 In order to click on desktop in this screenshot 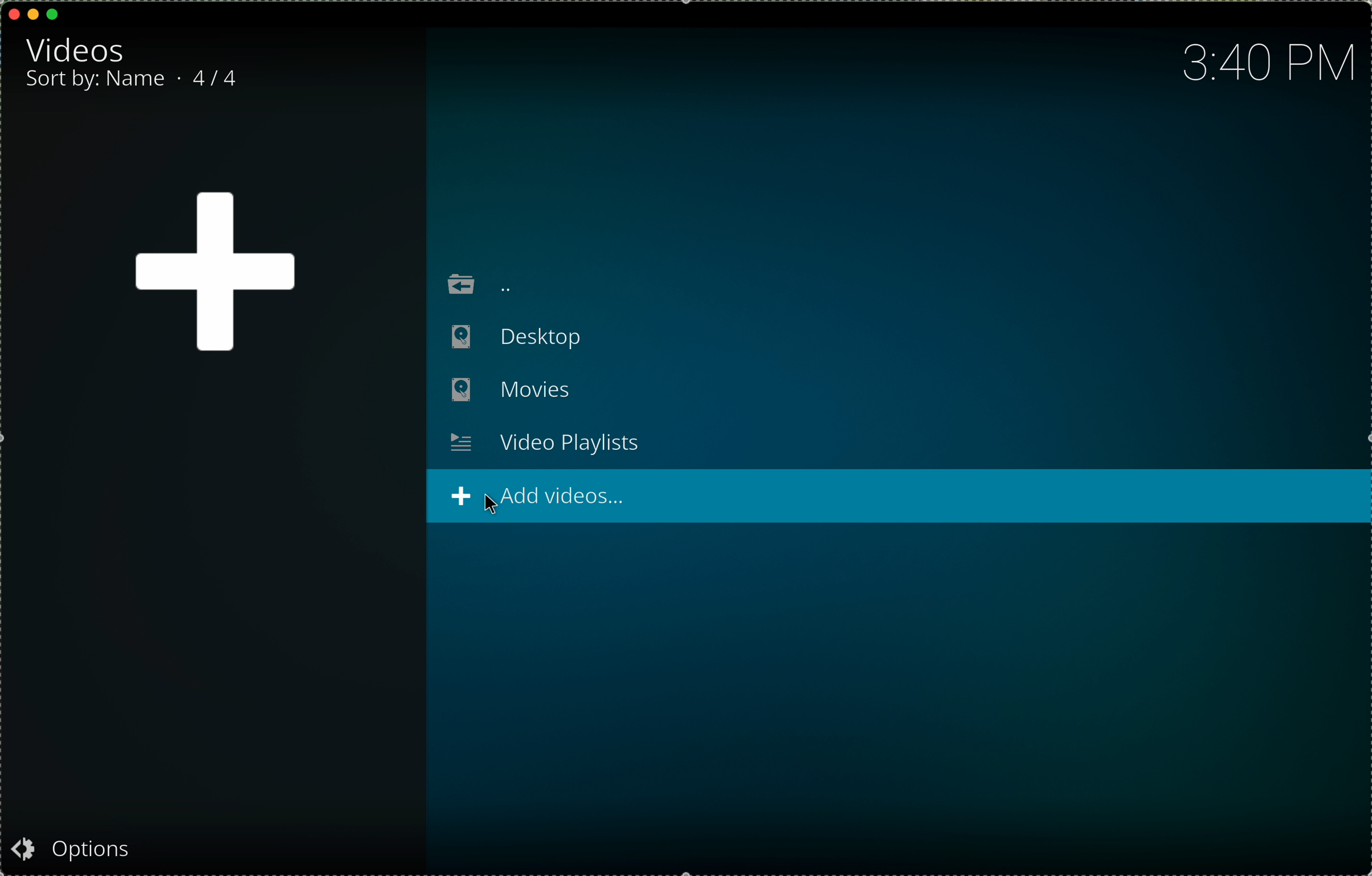, I will do `click(505, 336)`.